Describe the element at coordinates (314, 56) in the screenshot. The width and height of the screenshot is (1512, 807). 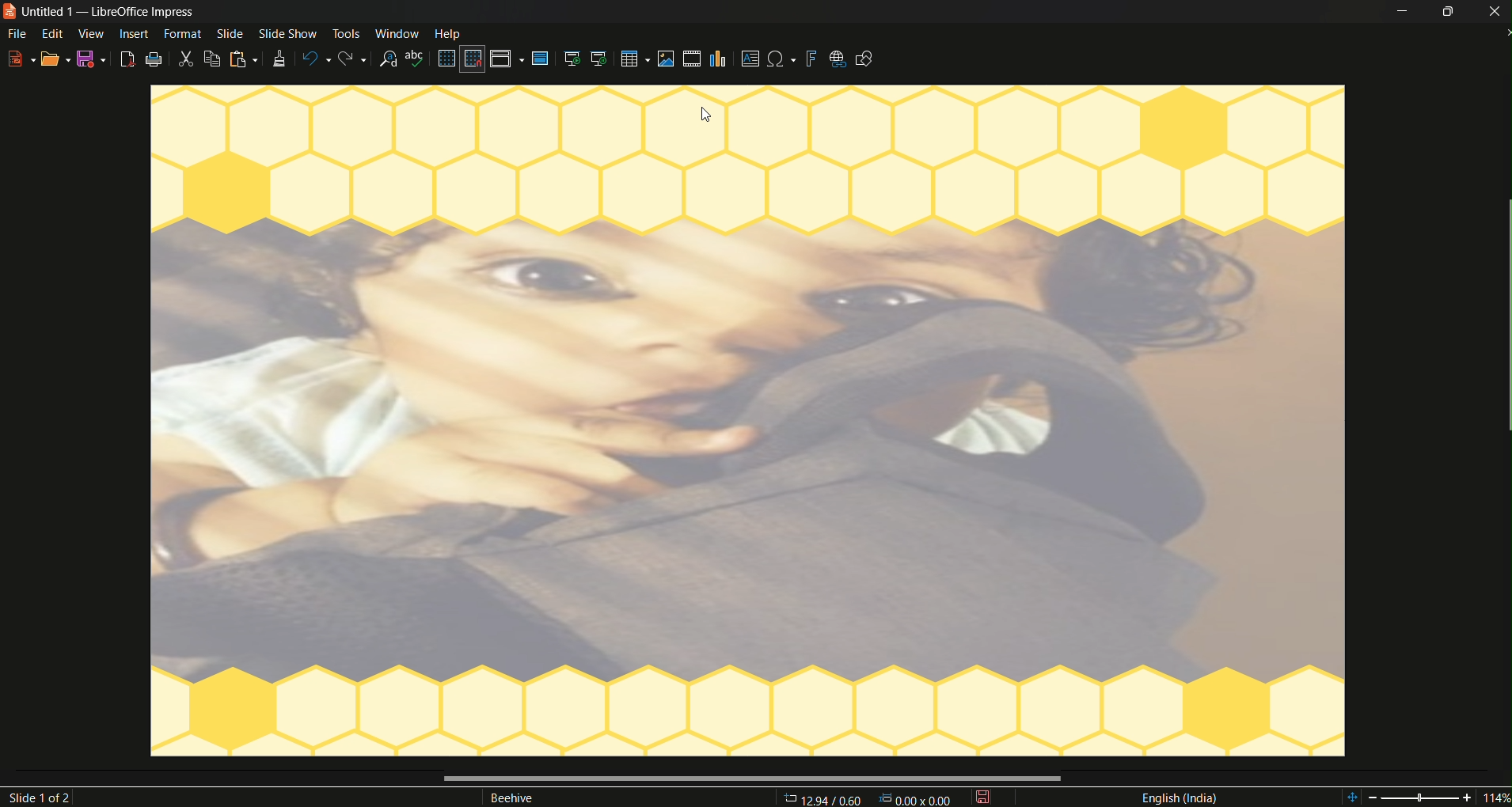
I see `undo` at that location.